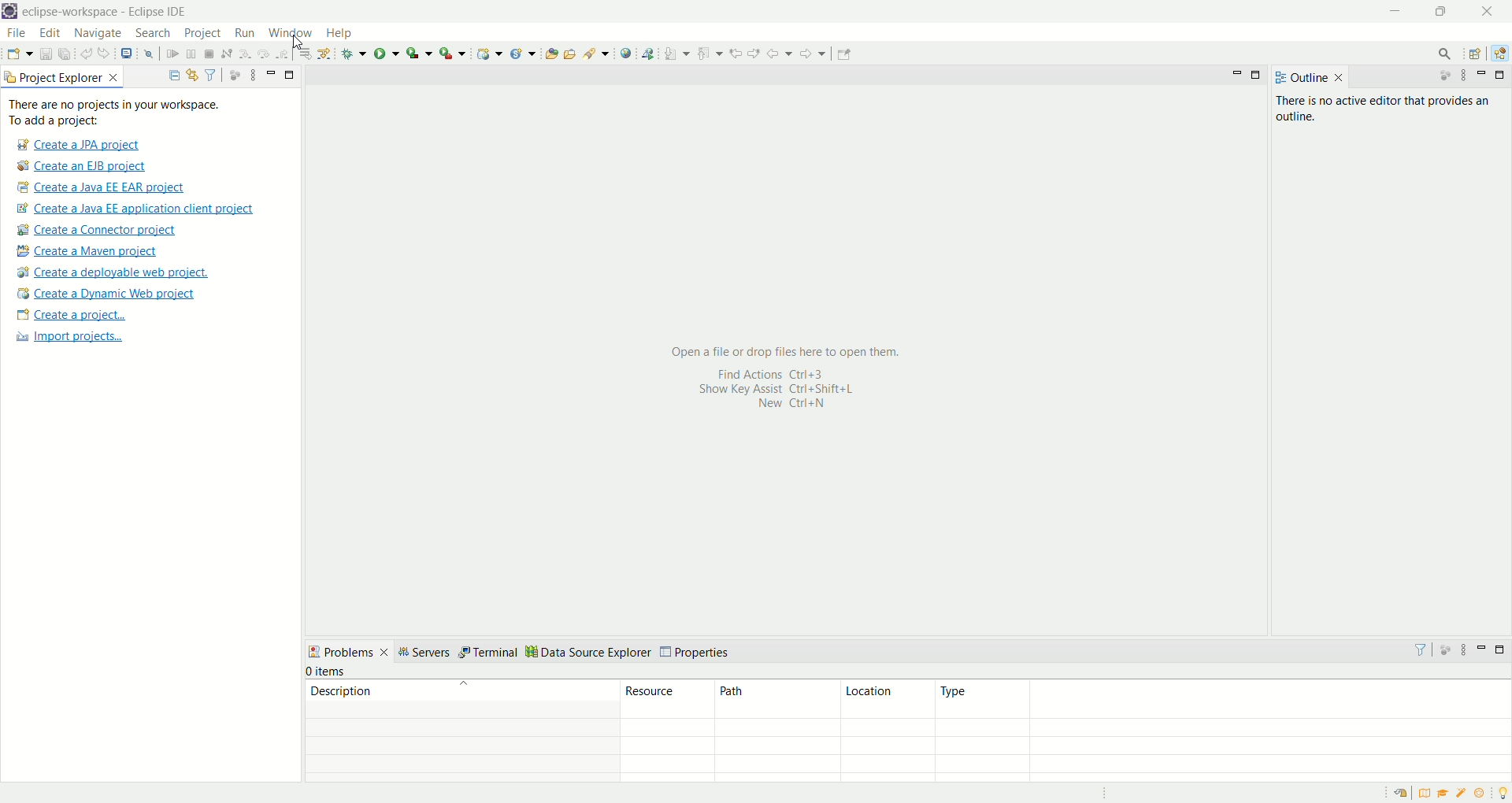 The image size is (1512, 803). Describe the element at coordinates (285, 52) in the screenshot. I see `step return` at that location.